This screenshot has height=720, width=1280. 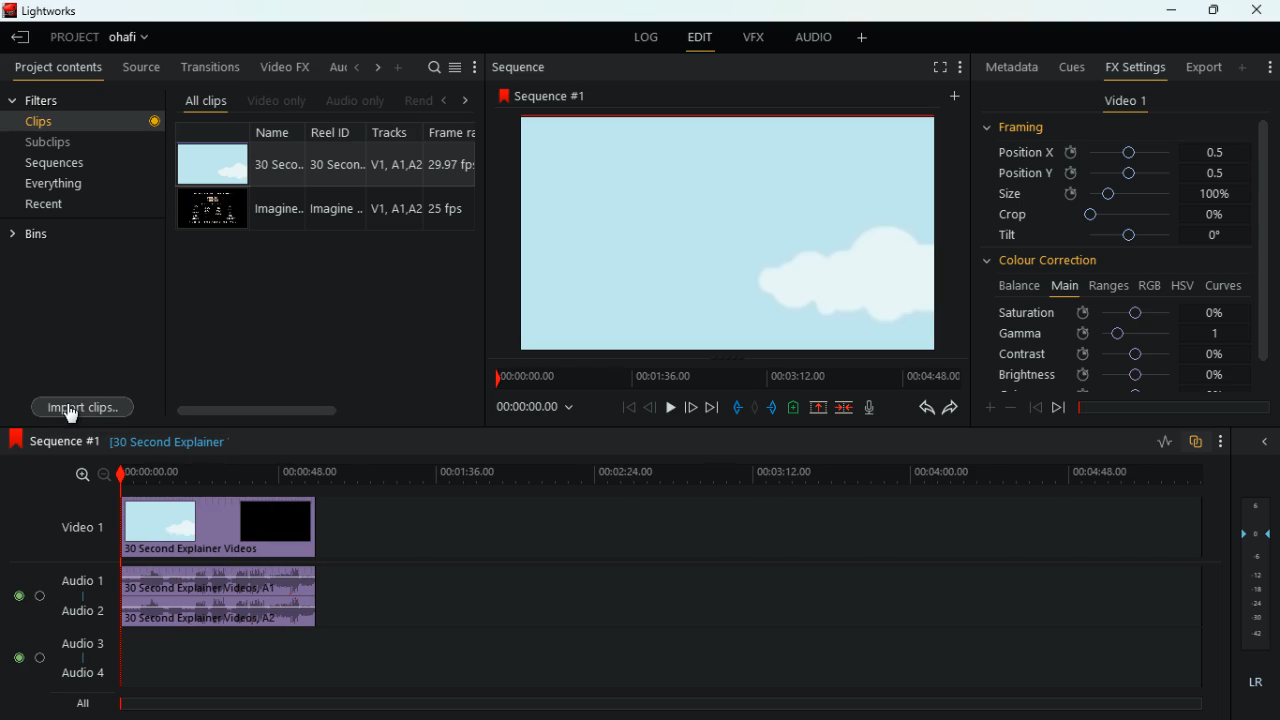 What do you see at coordinates (214, 164) in the screenshot?
I see `video` at bounding box center [214, 164].